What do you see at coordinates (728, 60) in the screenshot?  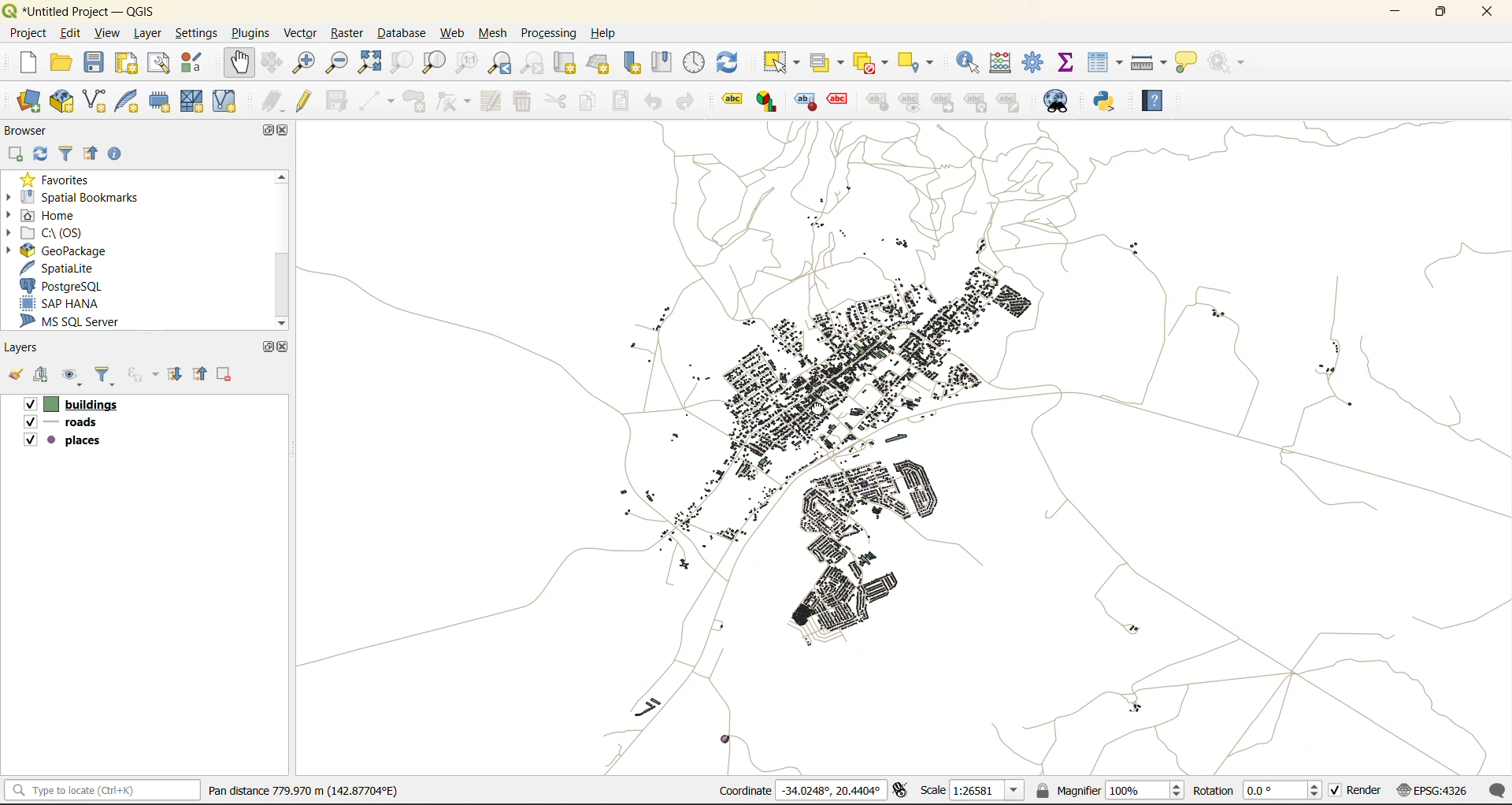 I see `refresh` at bounding box center [728, 60].